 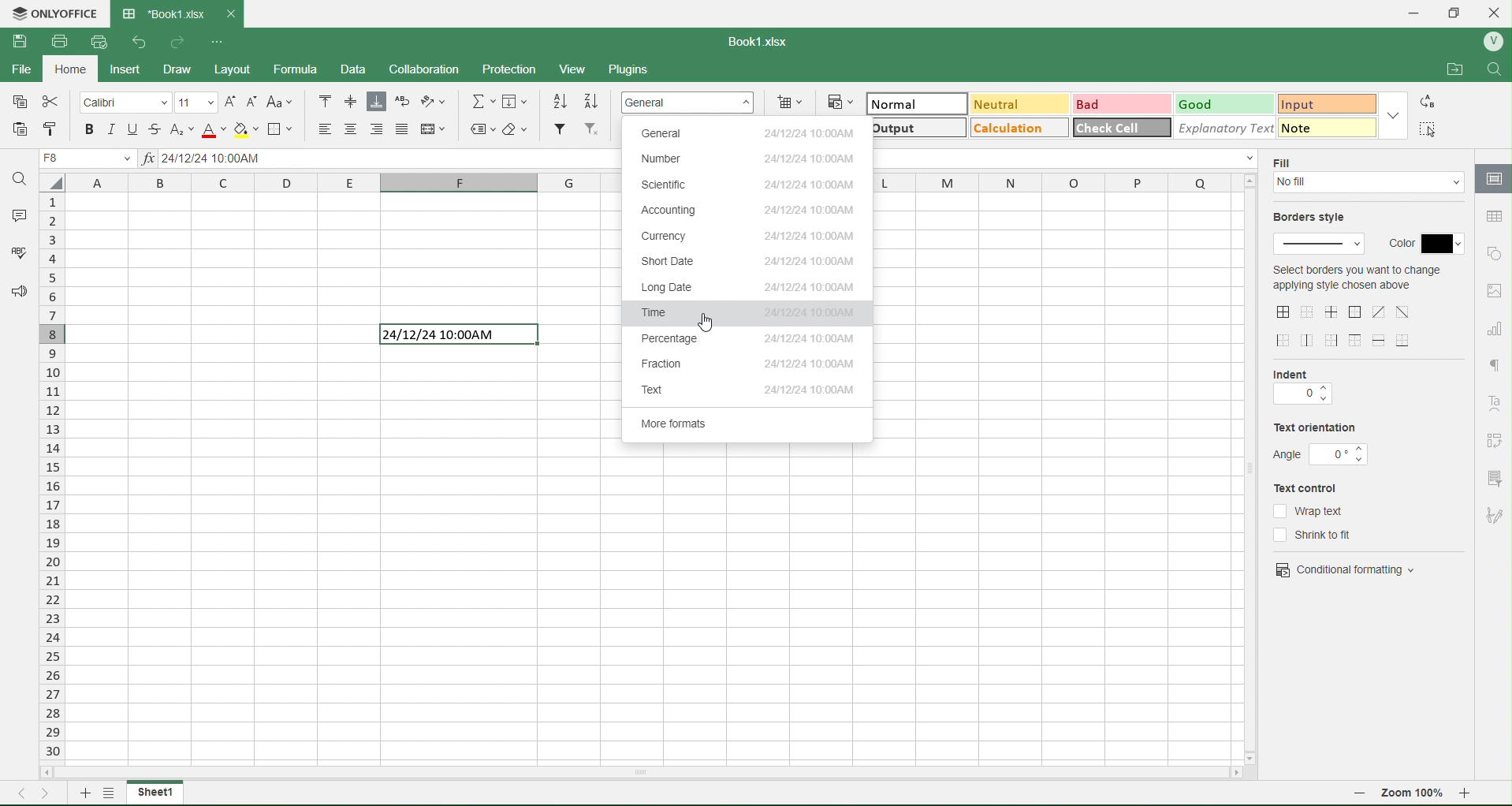 What do you see at coordinates (58, 186) in the screenshot?
I see `select all` at bounding box center [58, 186].